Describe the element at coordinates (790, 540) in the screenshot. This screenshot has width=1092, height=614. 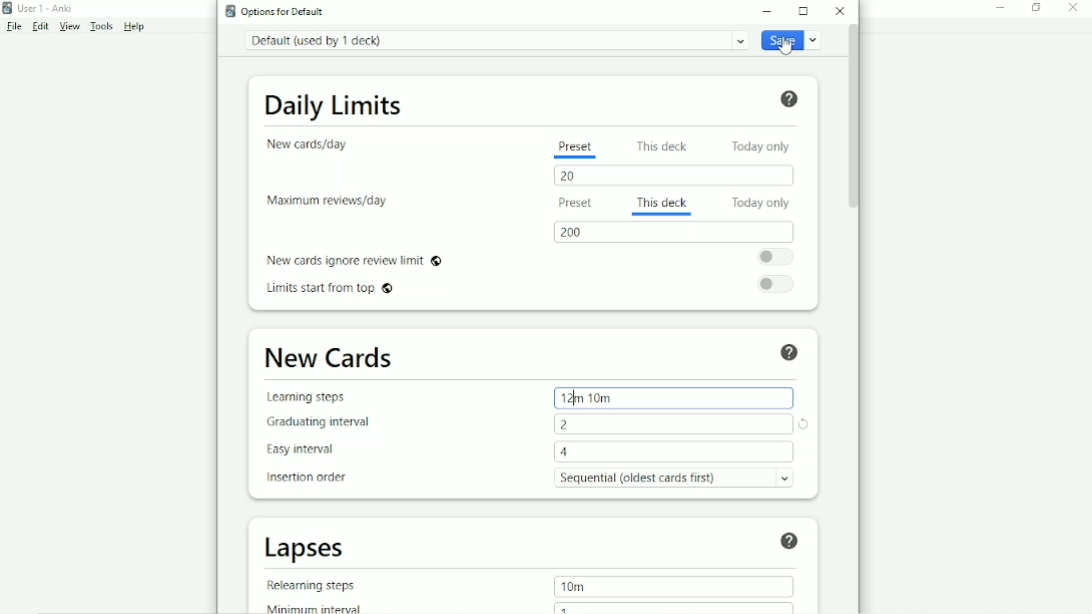
I see `Help` at that location.